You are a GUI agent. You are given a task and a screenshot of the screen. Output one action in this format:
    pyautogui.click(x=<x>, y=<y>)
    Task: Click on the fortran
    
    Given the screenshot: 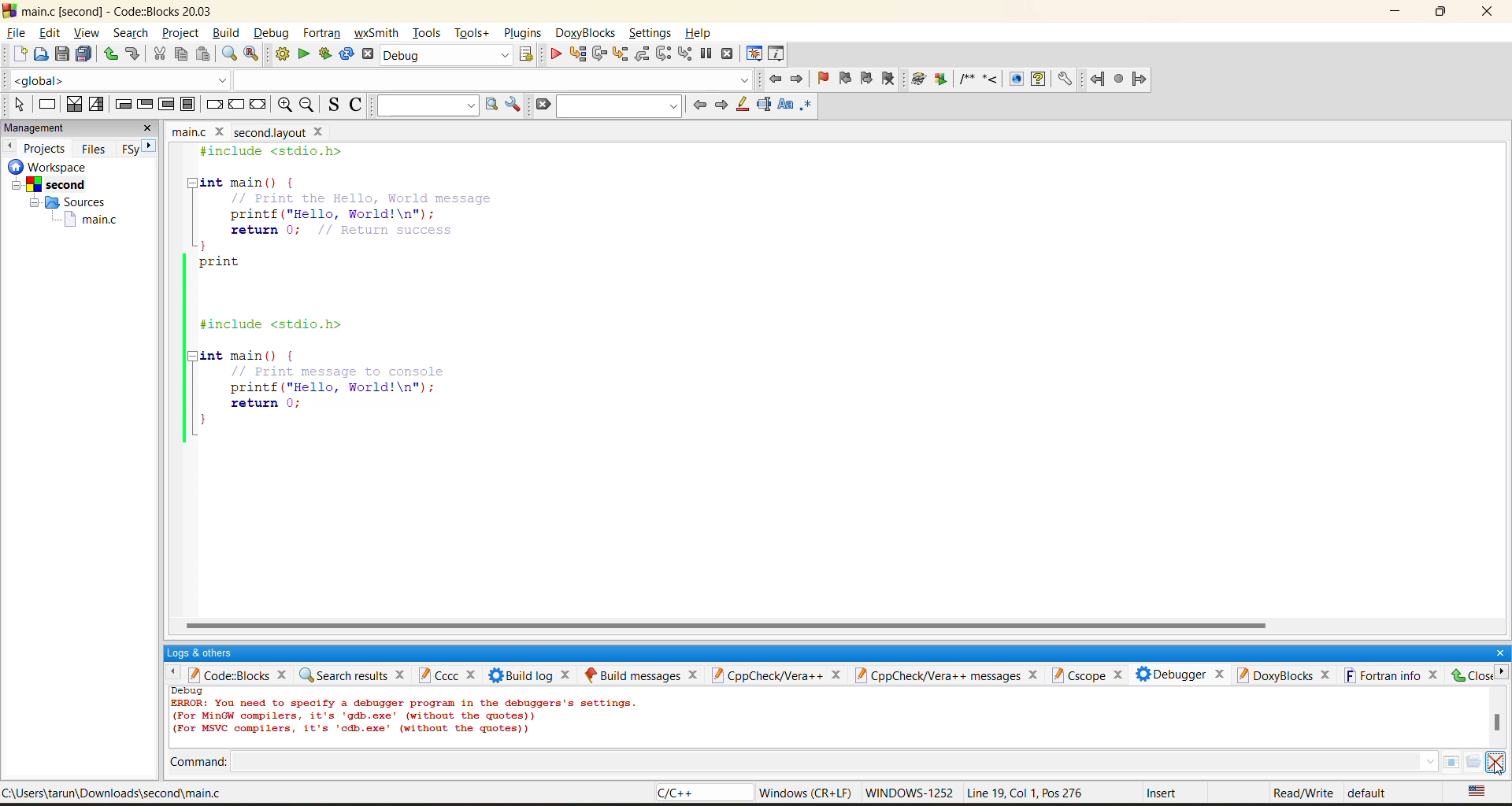 What is the action you would take?
    pyautogui.click(x=1119, y=79)
    